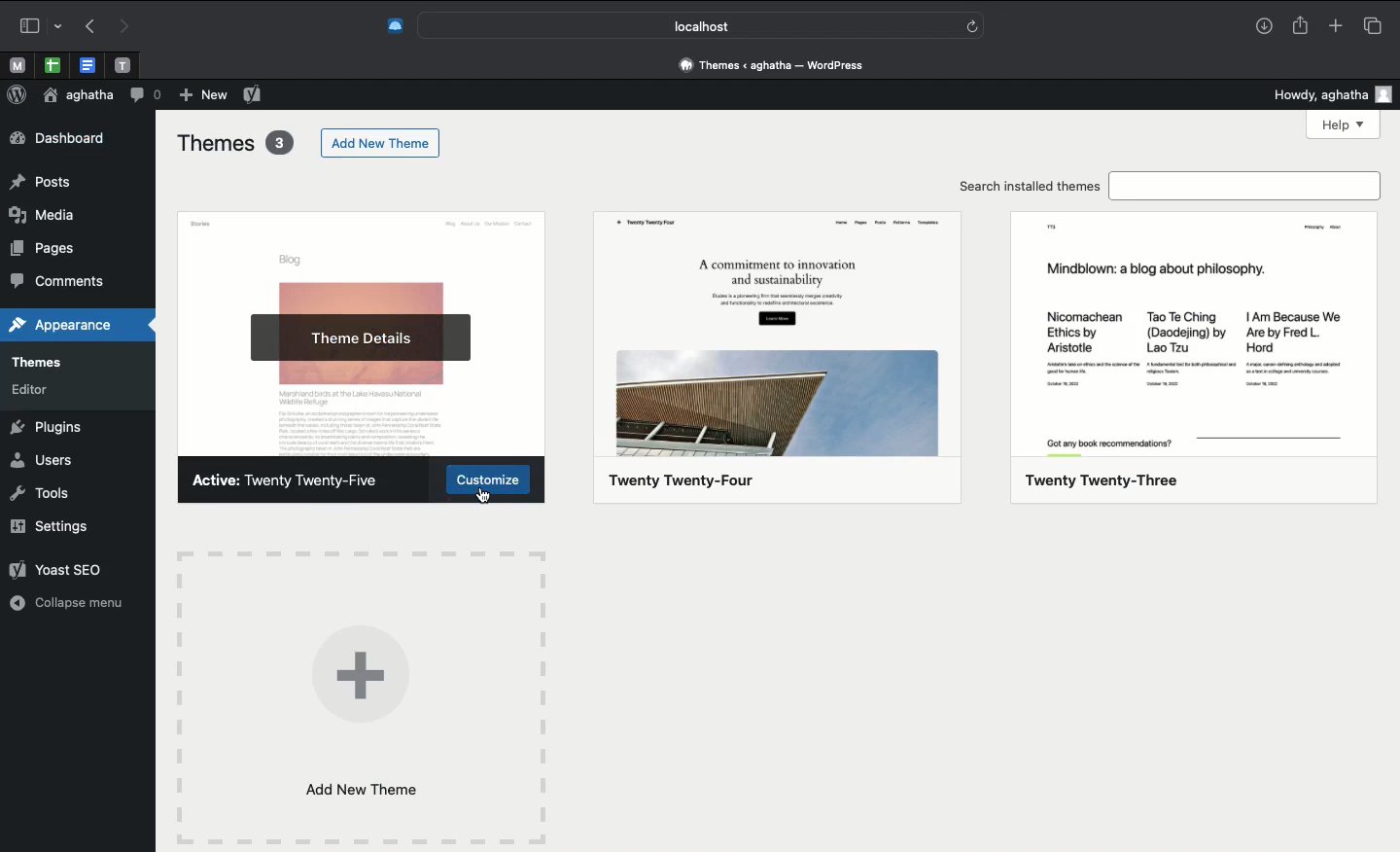 The image size is (1400, 852). Describe the element at coordinates (17, 66) in the screenshot. I see `open tab` at that location.